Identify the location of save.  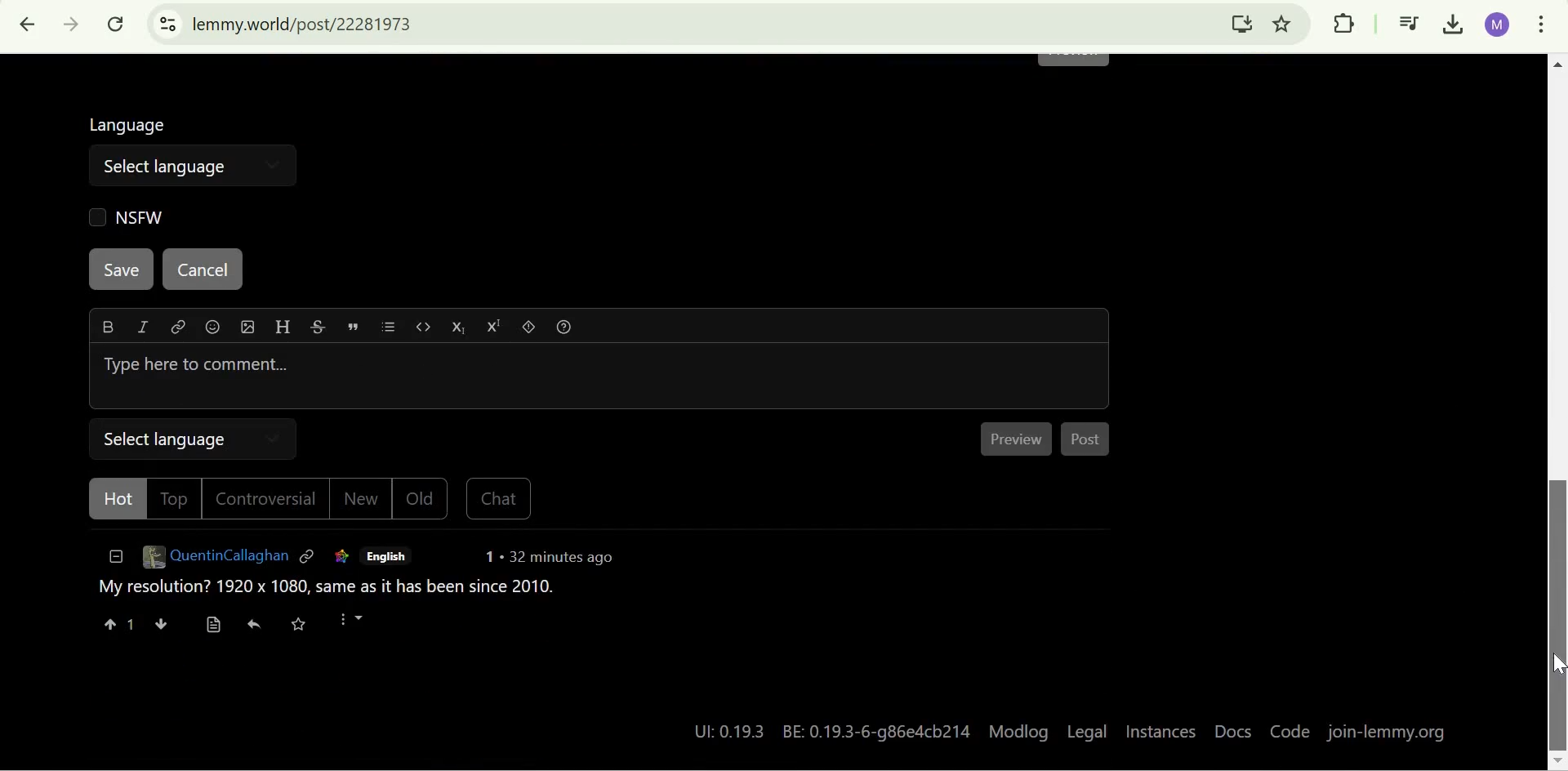
(307, 626).